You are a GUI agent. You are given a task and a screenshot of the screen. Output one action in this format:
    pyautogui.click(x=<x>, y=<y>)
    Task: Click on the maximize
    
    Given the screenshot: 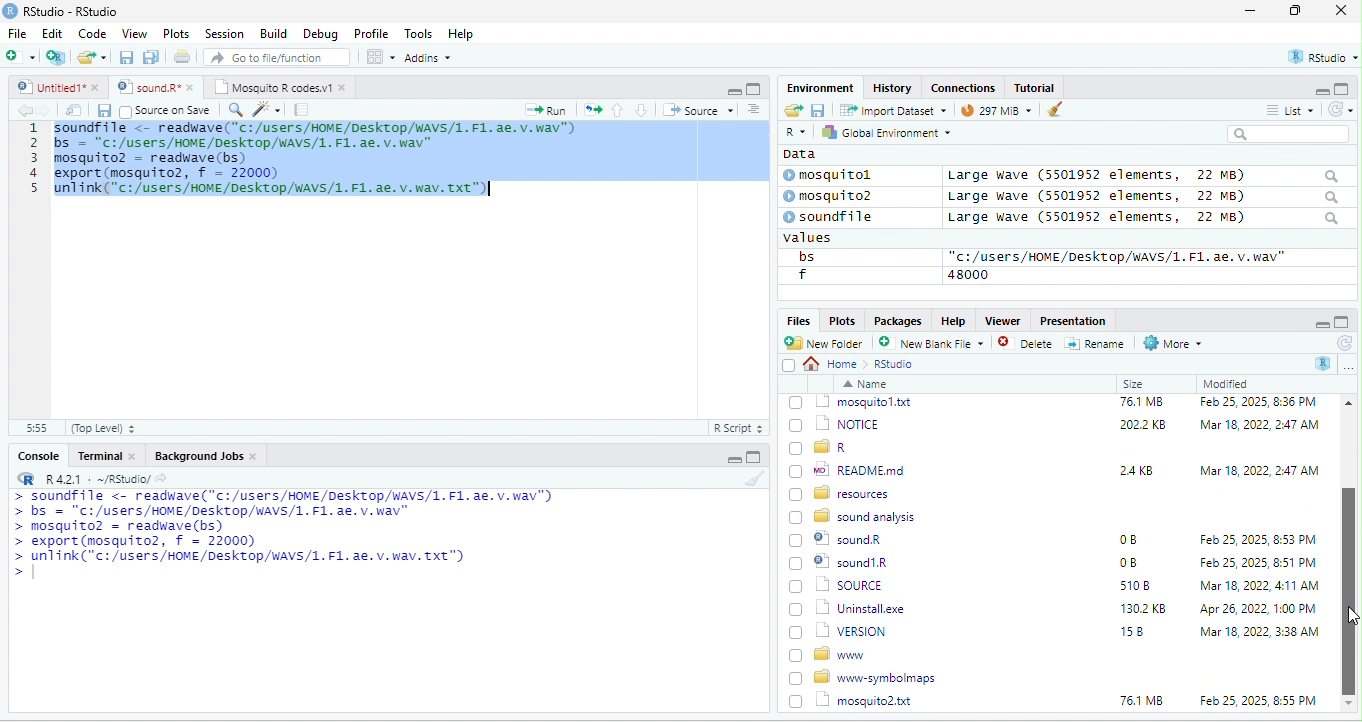 What is the action you would take?
    pyautogui.click(x=1344, y=88)
    